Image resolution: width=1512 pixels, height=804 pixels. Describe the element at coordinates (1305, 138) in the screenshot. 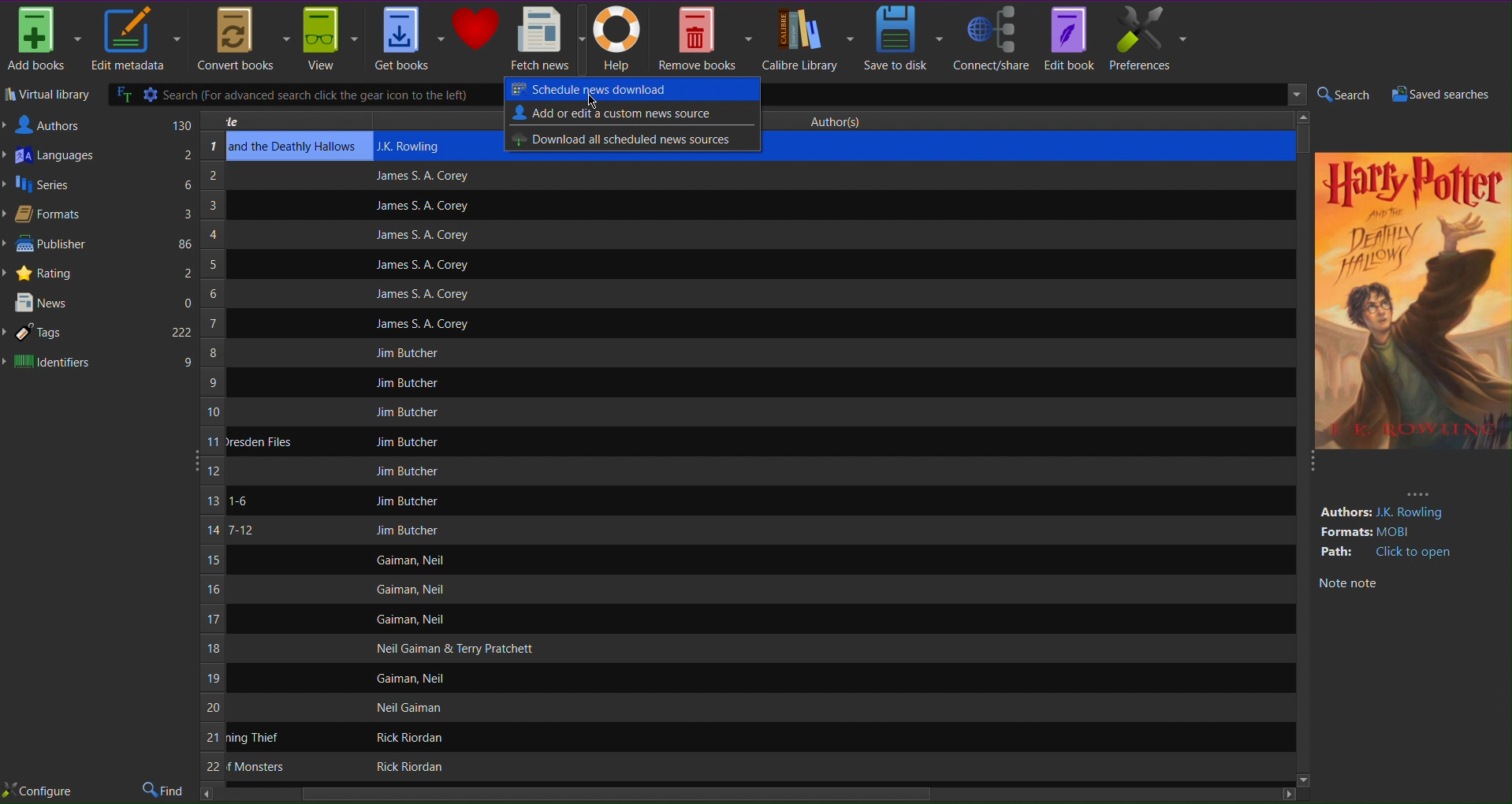

I see `Scrollbar` at that location.